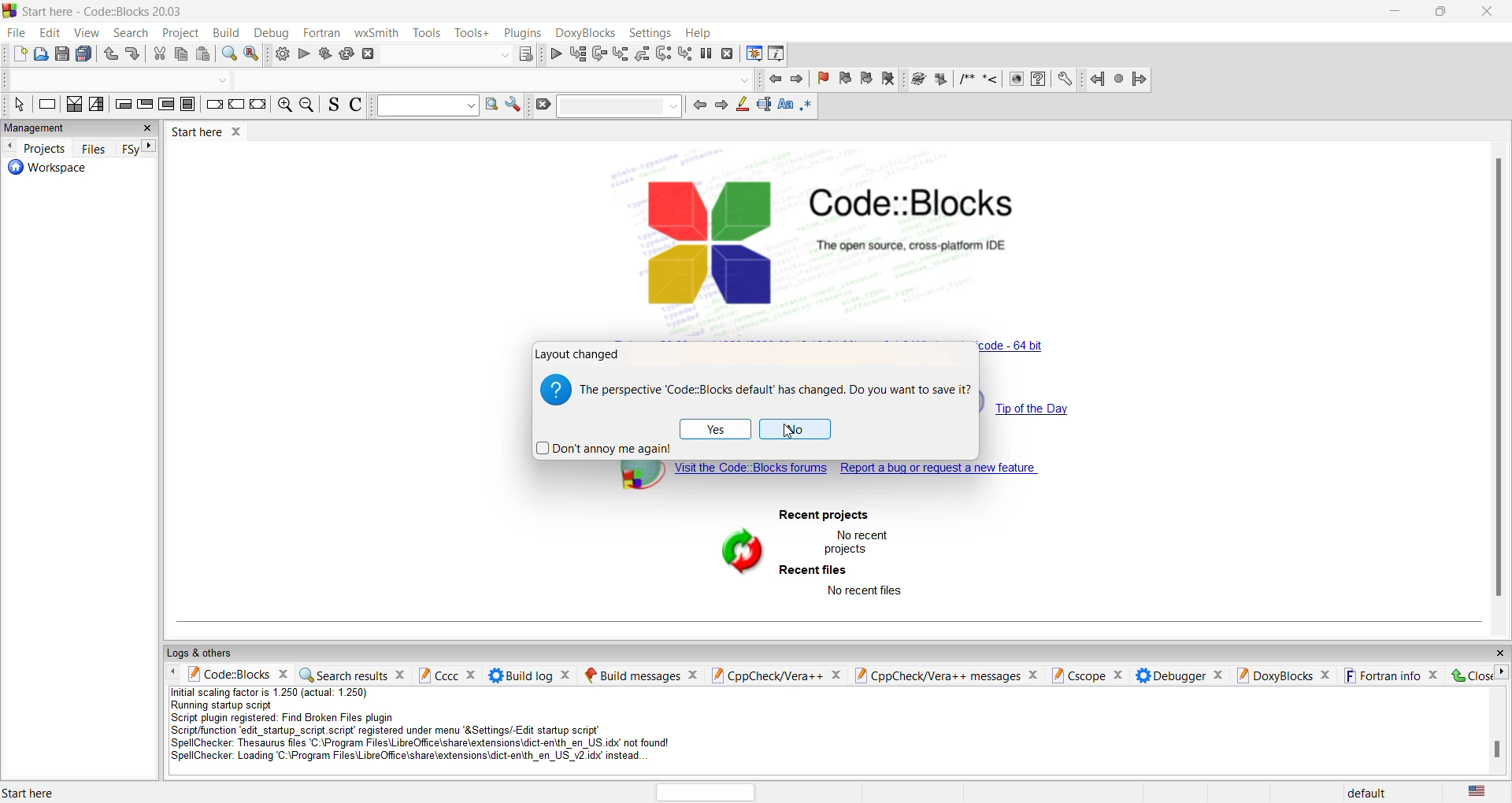 Image resolution: width=1512 pixels, height=803 pixels. I want to click on save text, so click(773, 394).